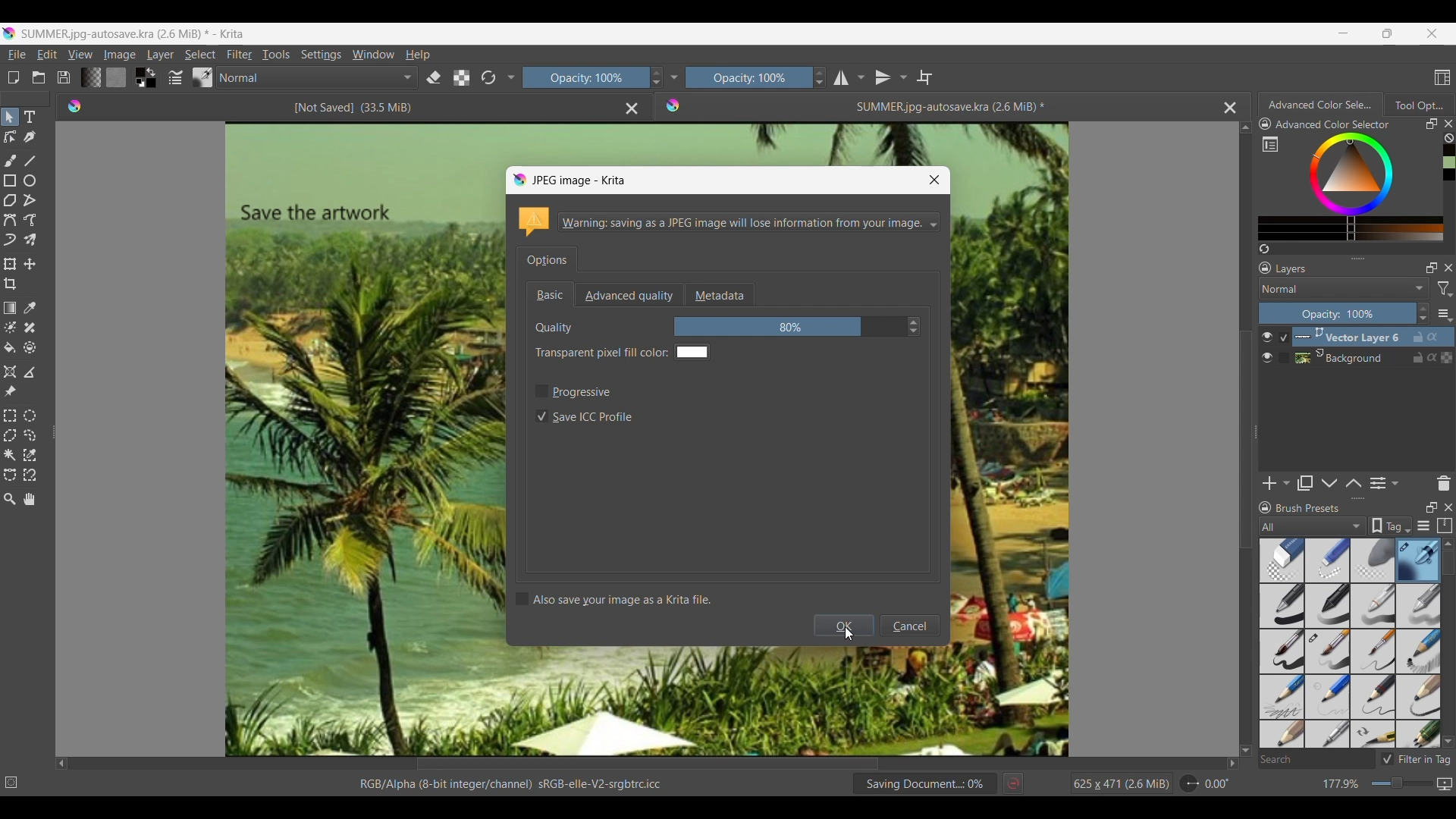  I want to click on Window text and logo, so click(728, 222).